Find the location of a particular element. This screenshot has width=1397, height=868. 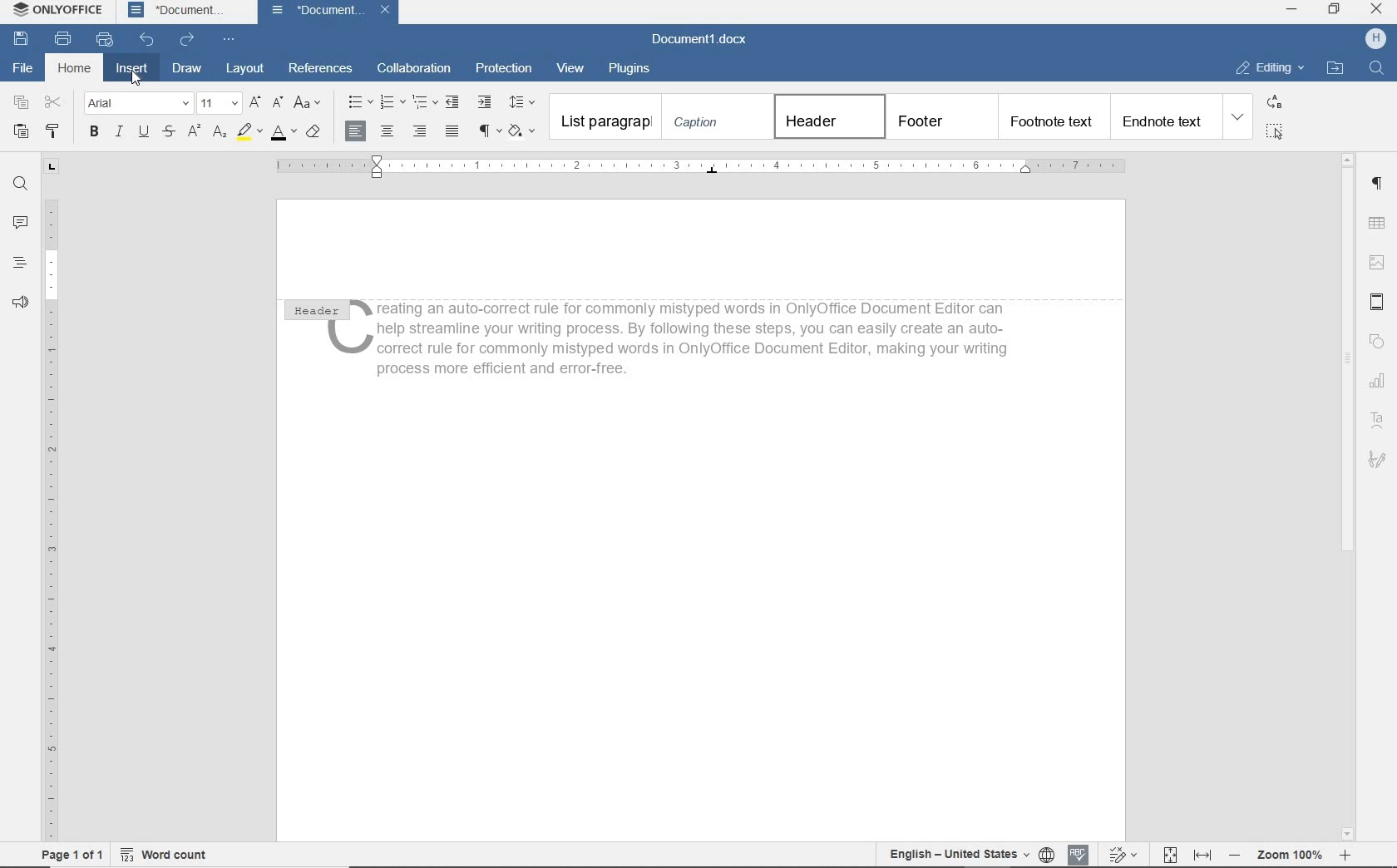

UNDO is located at coordinates (148, 37).